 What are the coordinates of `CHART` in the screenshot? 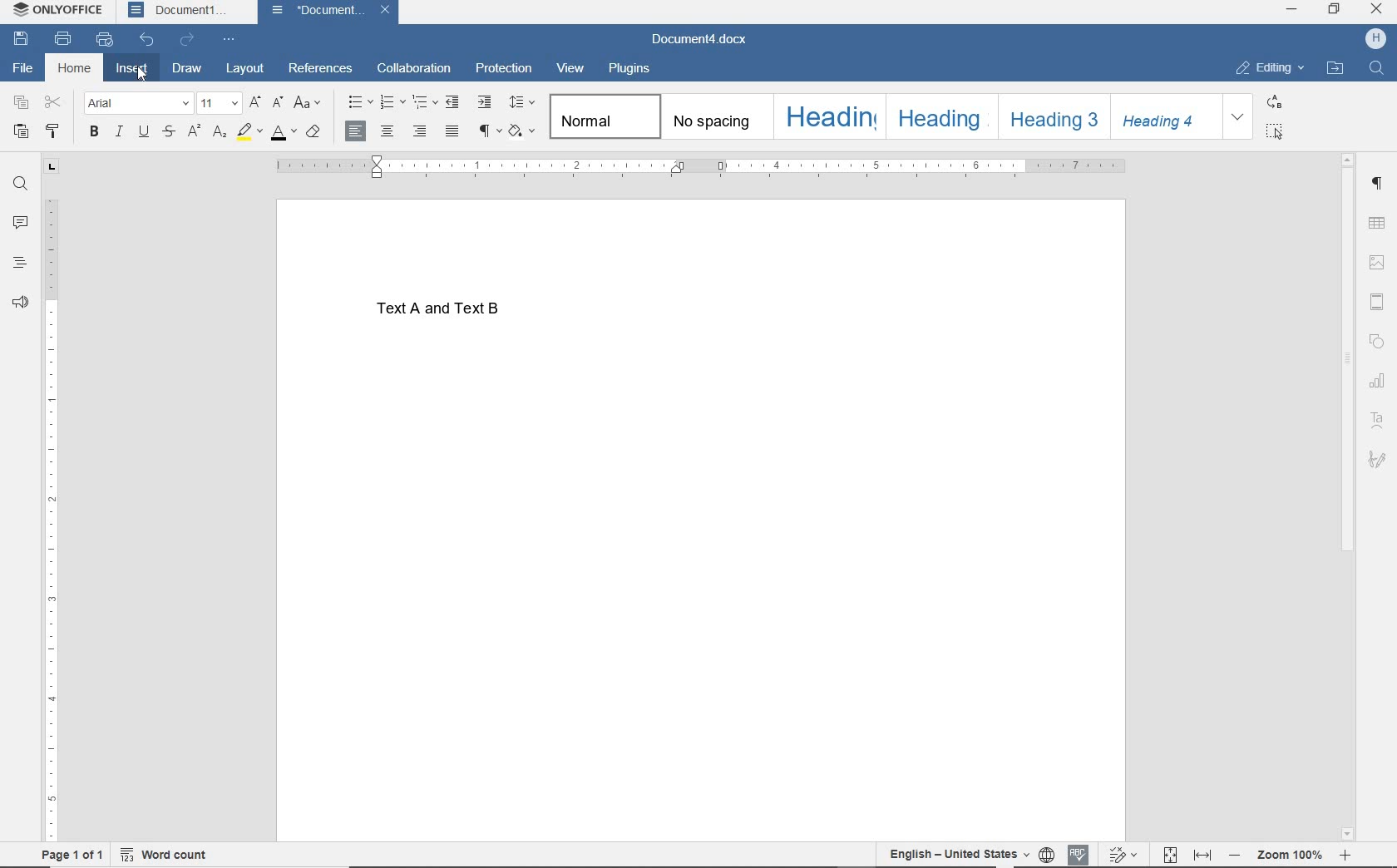 It's located at (1377, 380).